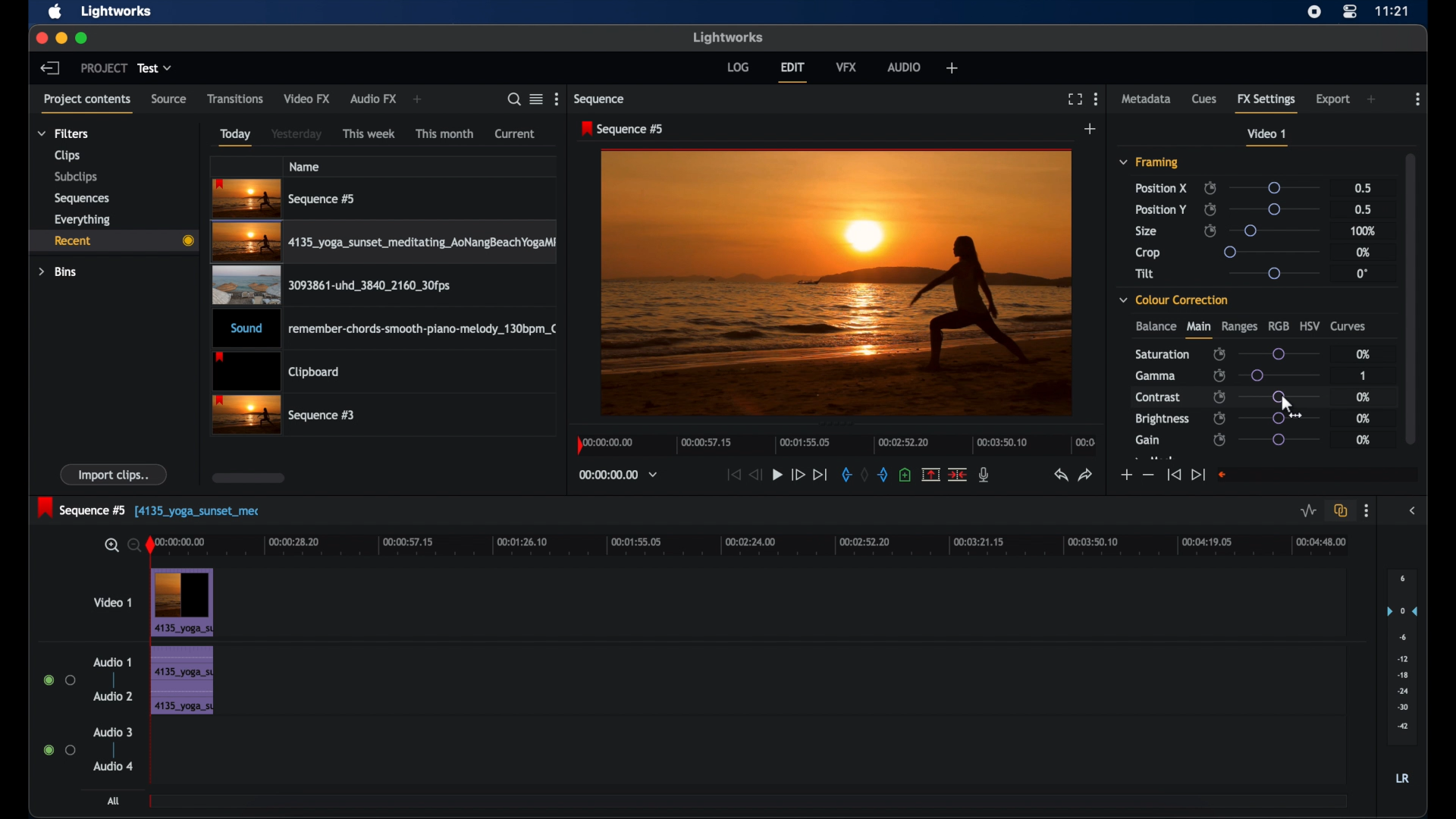  I want to click on jump to start, so click(1173, 474).